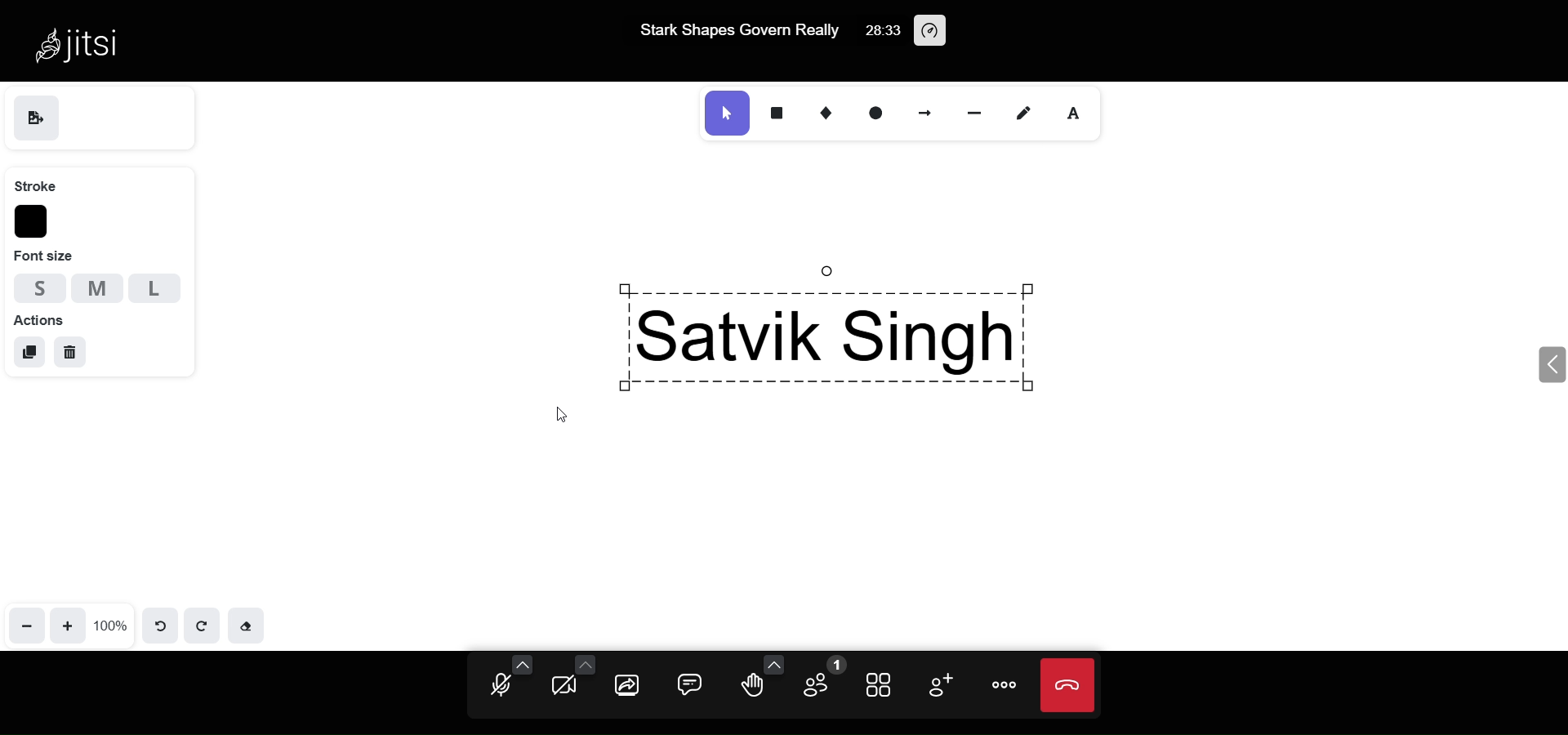 The image size is (1568, 735). Describe the element at coordinates (28, 625) in the screenshot. I see `zoom out` at that location.